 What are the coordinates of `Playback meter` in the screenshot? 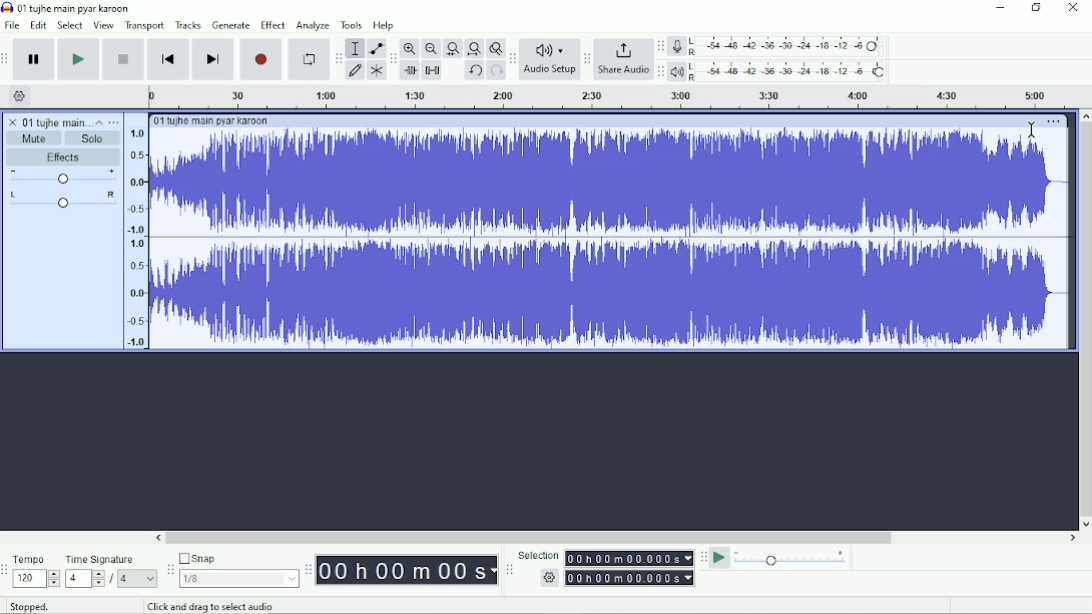 It's located at (778, 71).